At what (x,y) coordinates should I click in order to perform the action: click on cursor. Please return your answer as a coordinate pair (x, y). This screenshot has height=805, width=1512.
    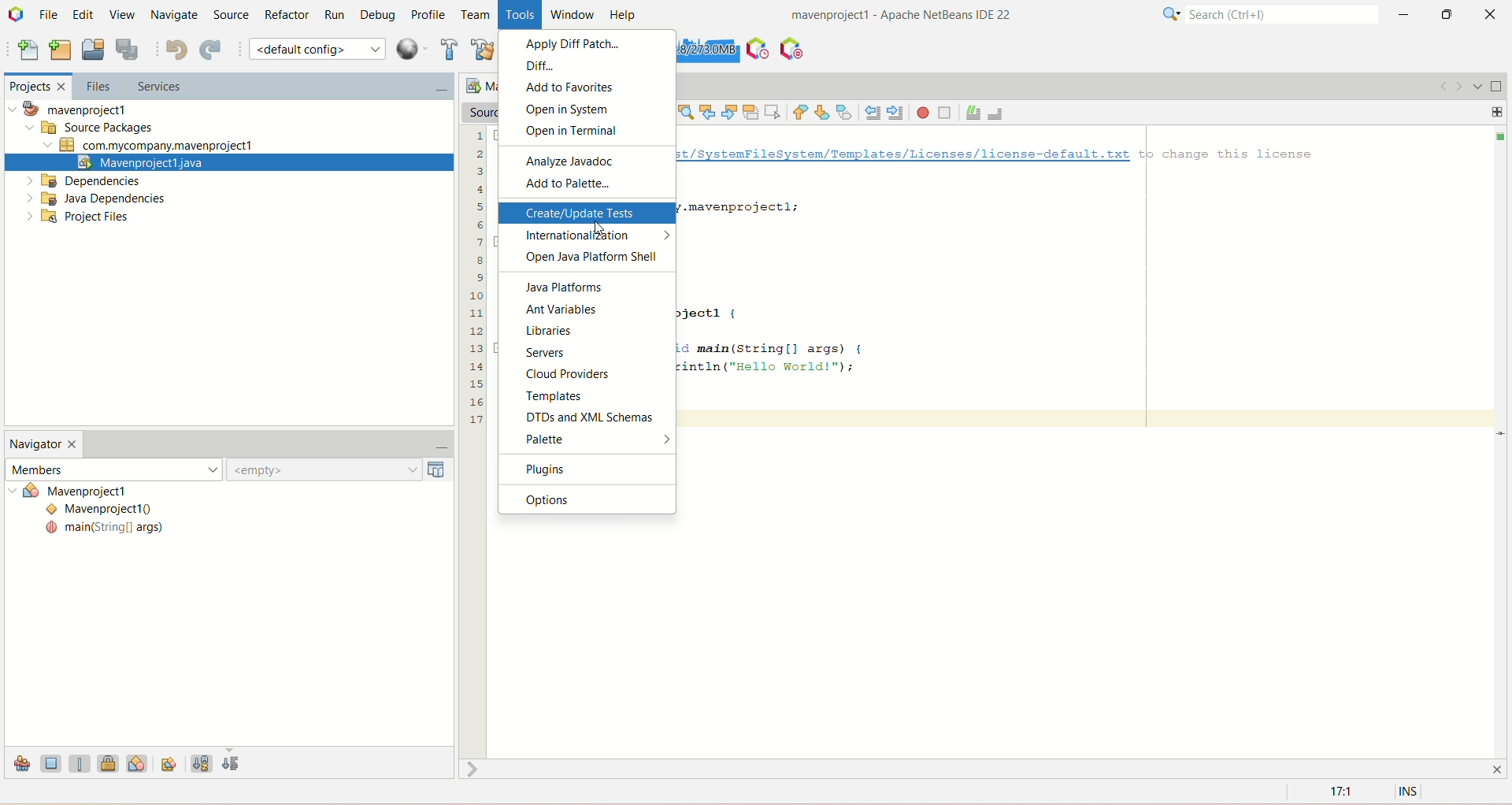
    Looking at the image, I should click on (597, 226).